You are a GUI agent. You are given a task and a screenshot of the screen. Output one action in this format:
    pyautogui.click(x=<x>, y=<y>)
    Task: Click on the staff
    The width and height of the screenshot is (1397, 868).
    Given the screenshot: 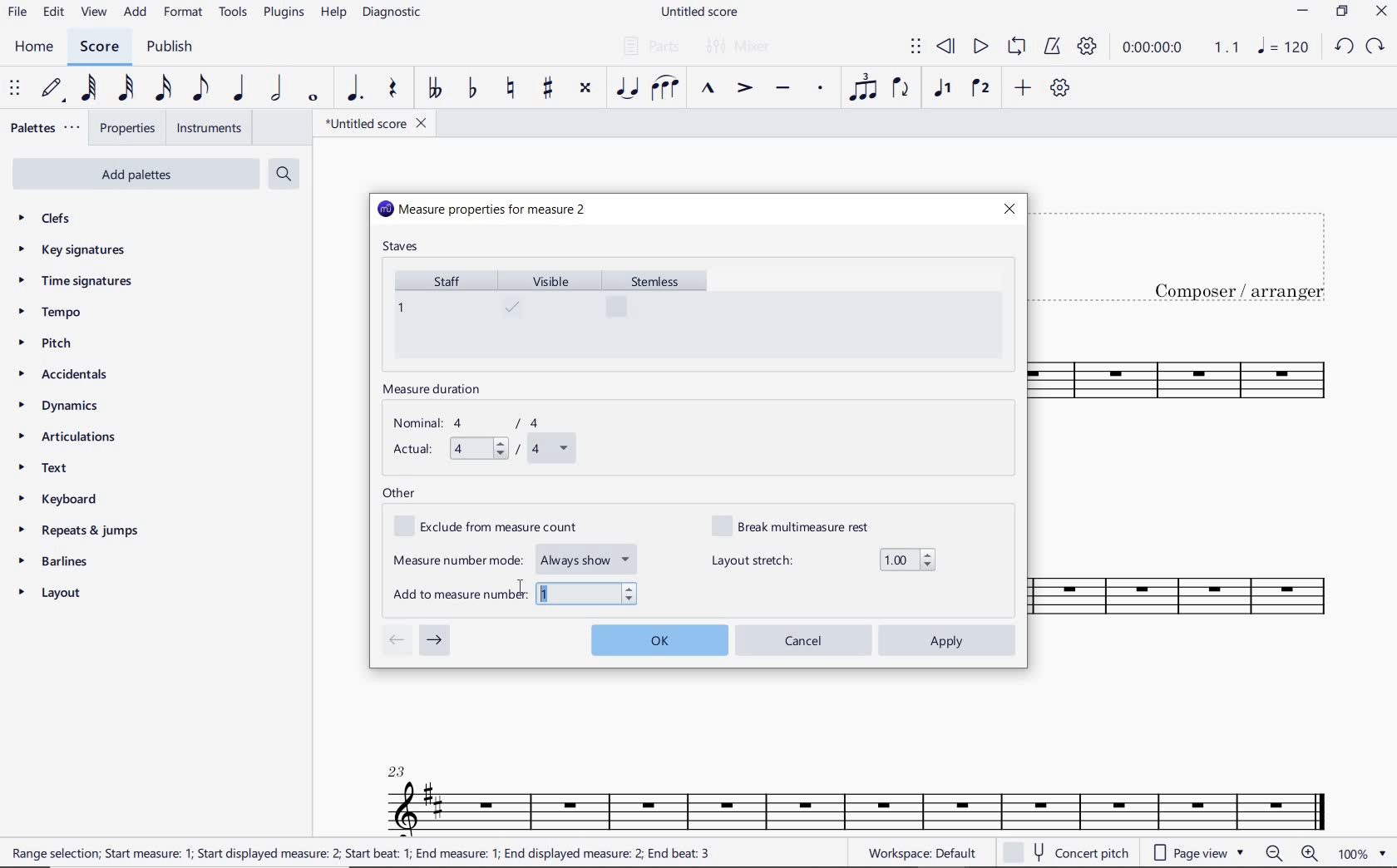 What is the action you would take?
    pyautogui.click(x=441, y=313)
    